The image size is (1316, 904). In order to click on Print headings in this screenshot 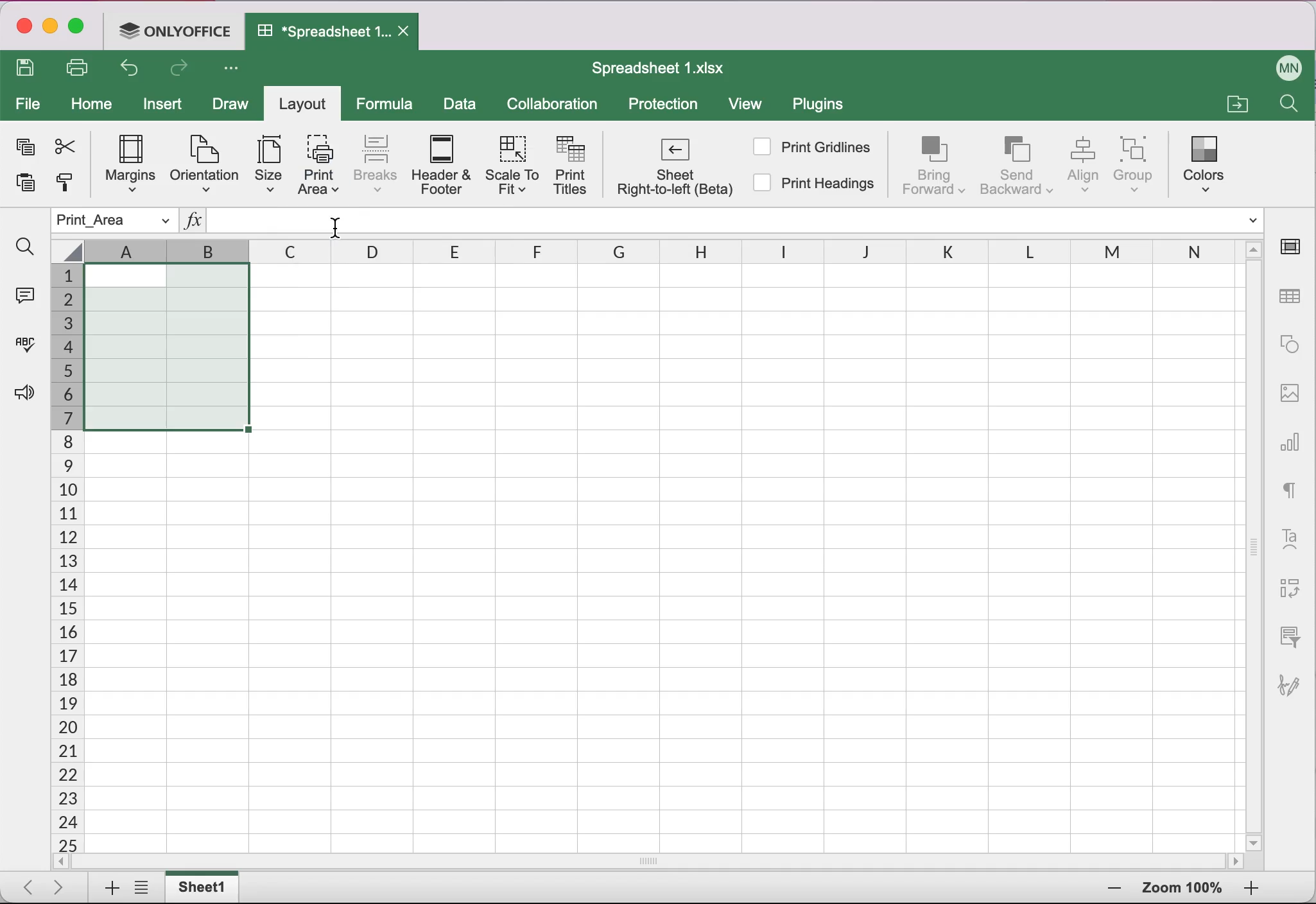, I will do `click(816, 186)`.